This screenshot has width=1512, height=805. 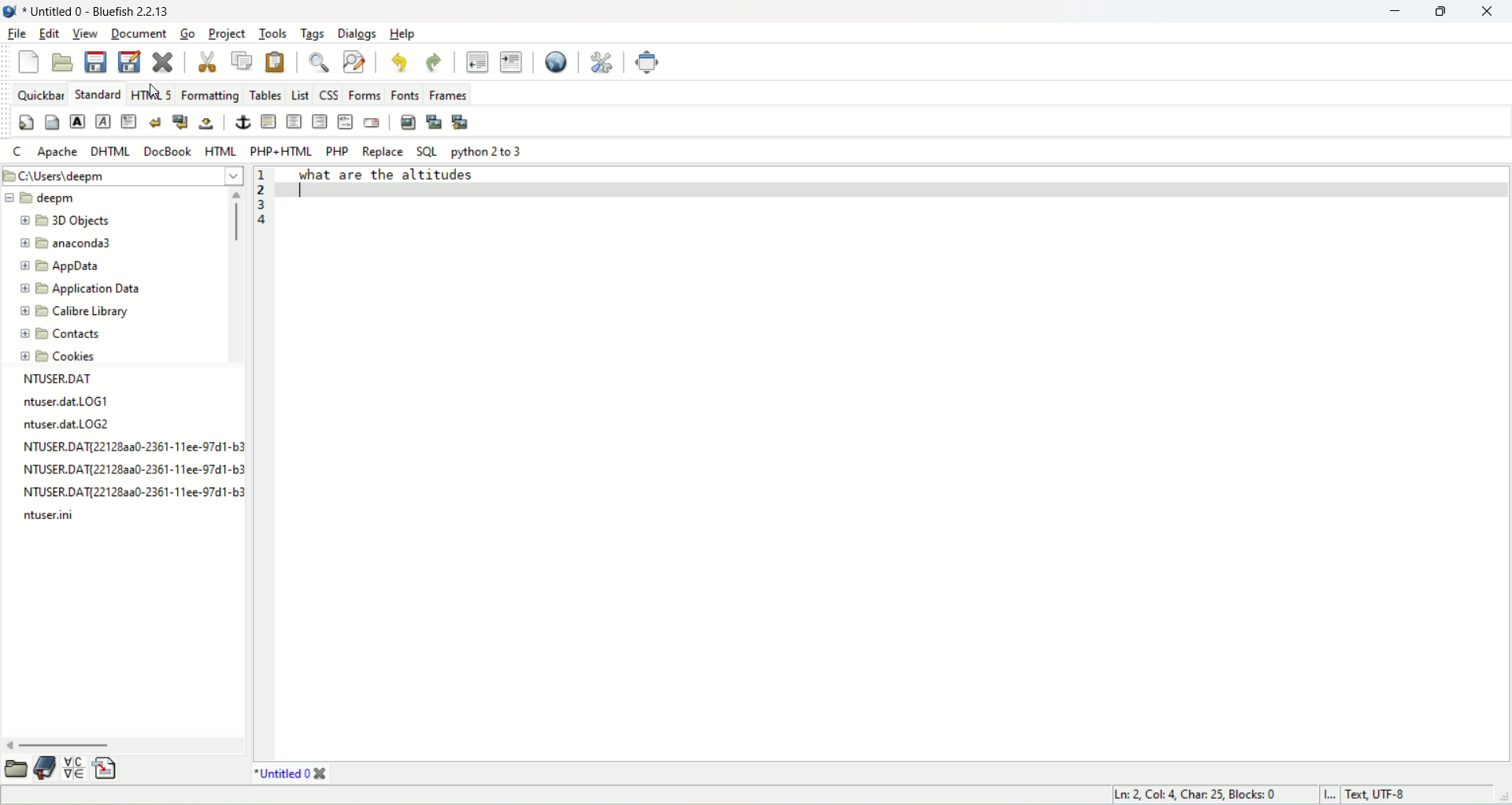 What do you see at coordinates (510, 62) in the screenshot?
I see `indent` at bounding box center [510, 62].